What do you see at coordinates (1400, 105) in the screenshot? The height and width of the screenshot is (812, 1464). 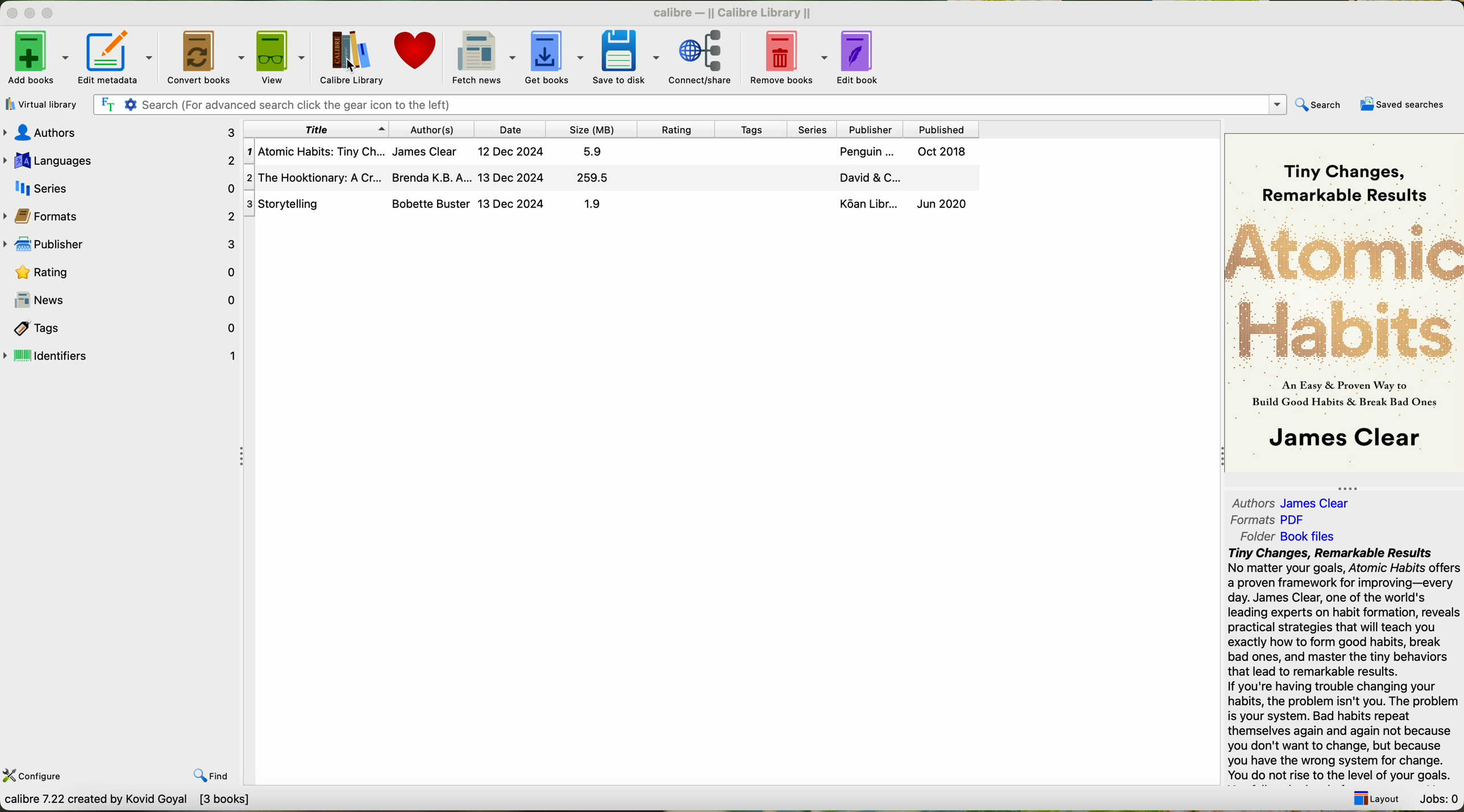 I see `saved searches` at bounding box center [1400, 105].